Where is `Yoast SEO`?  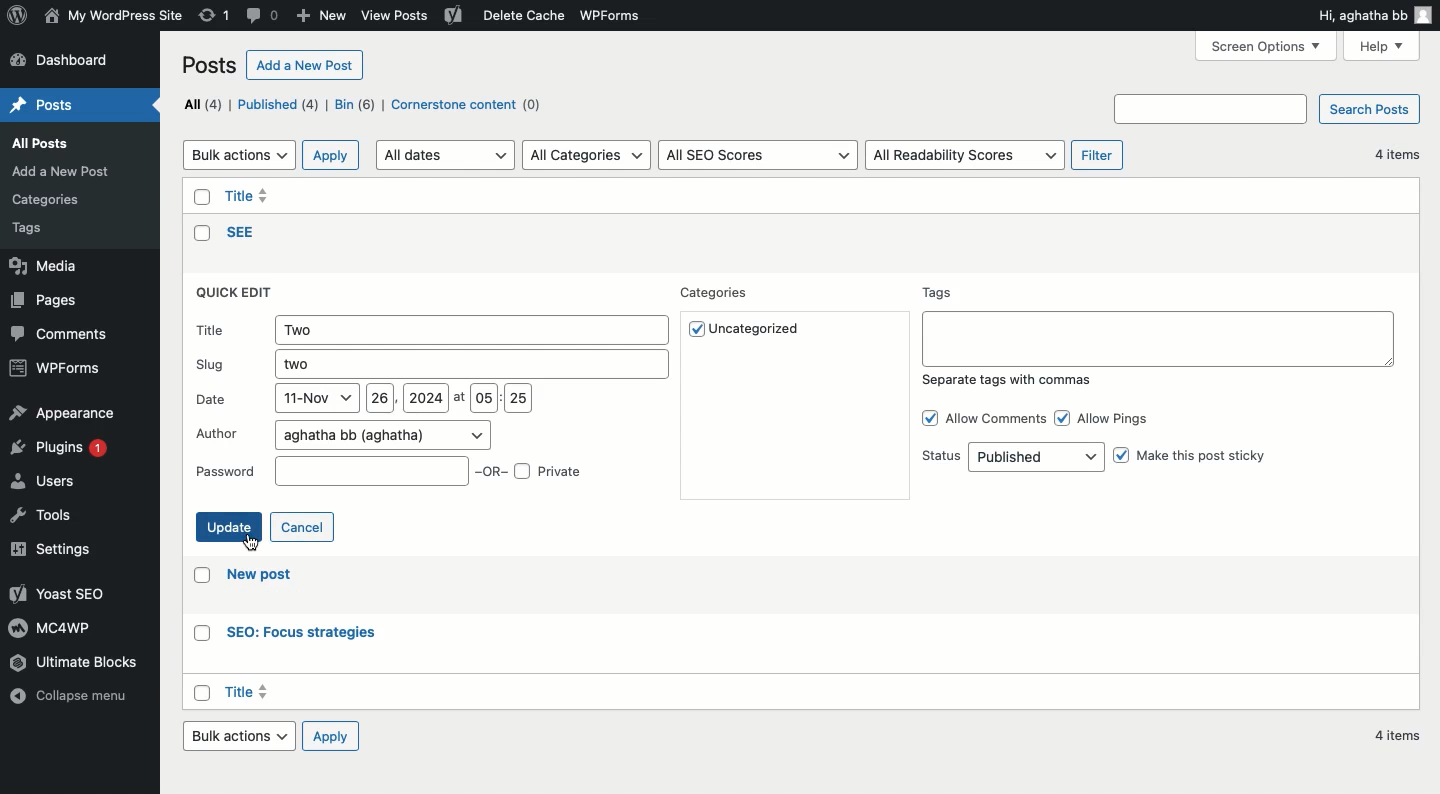
Yoast SEO is located at coordinates (55, 593).